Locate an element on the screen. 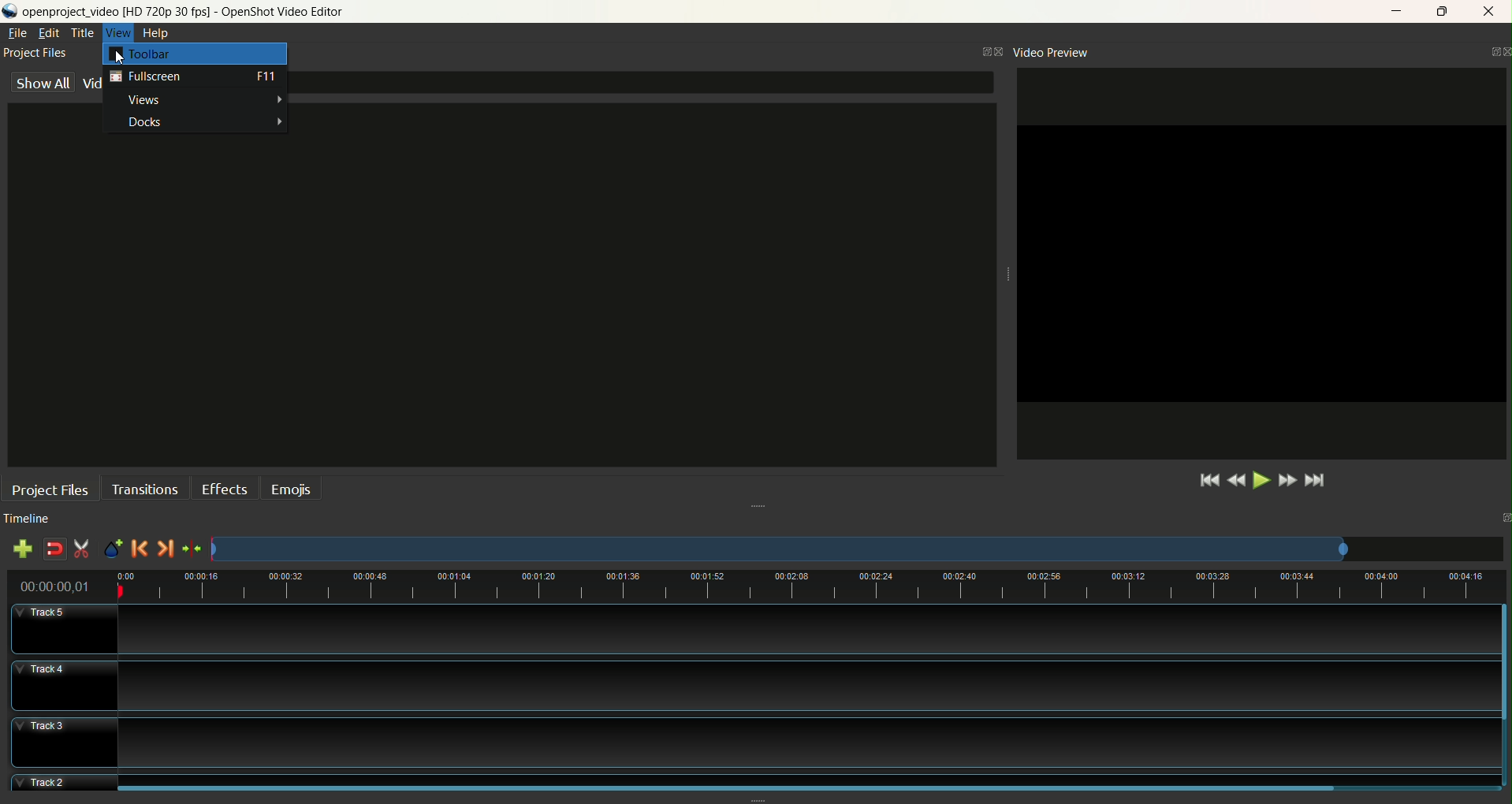 Image resolution: width=1512 pixels, height=804 pixels. effects is located at coordinates (226, 489).